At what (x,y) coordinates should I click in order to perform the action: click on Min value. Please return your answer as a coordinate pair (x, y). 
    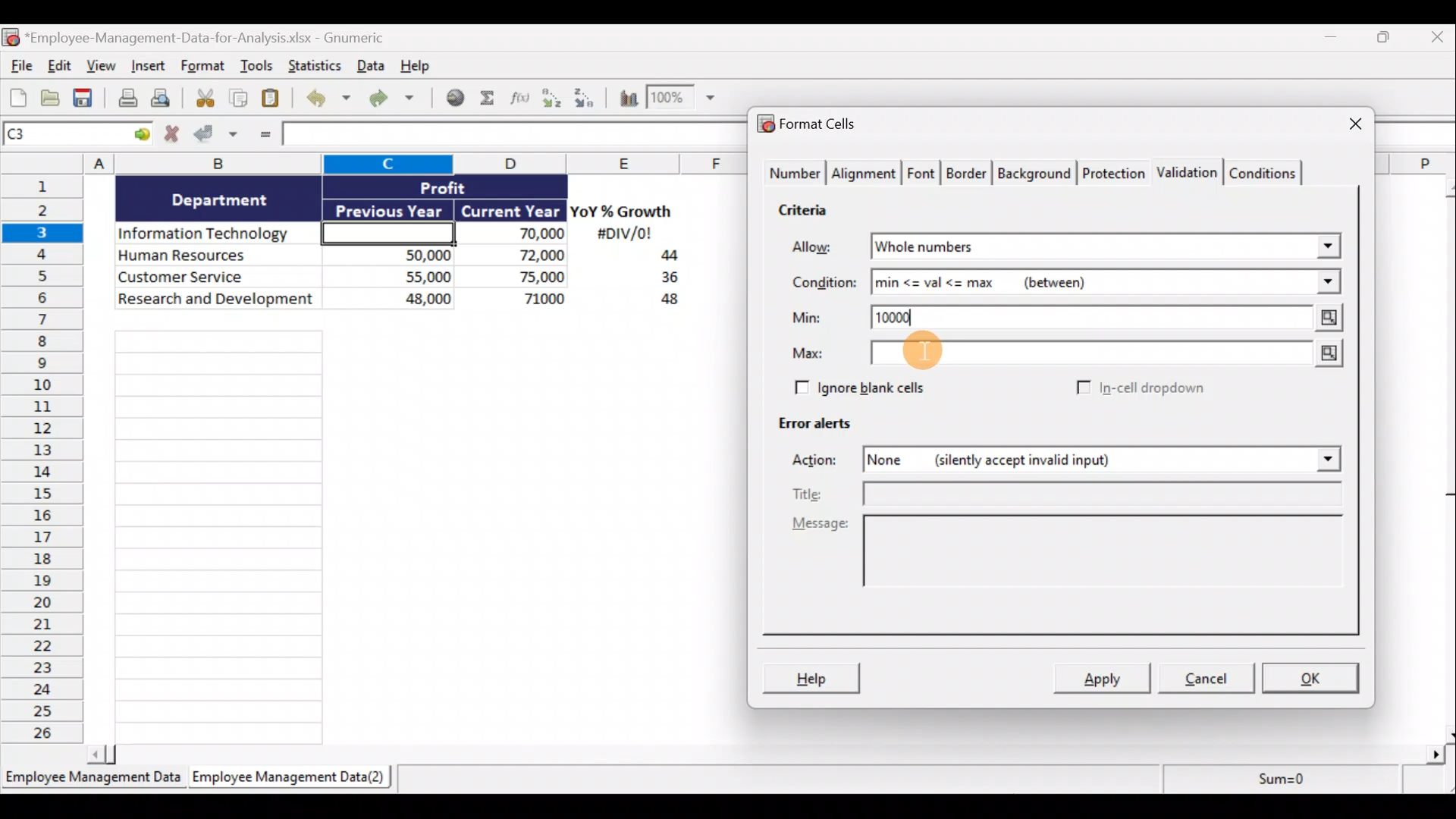
    Looking at the image, I should click on (1325, 318).